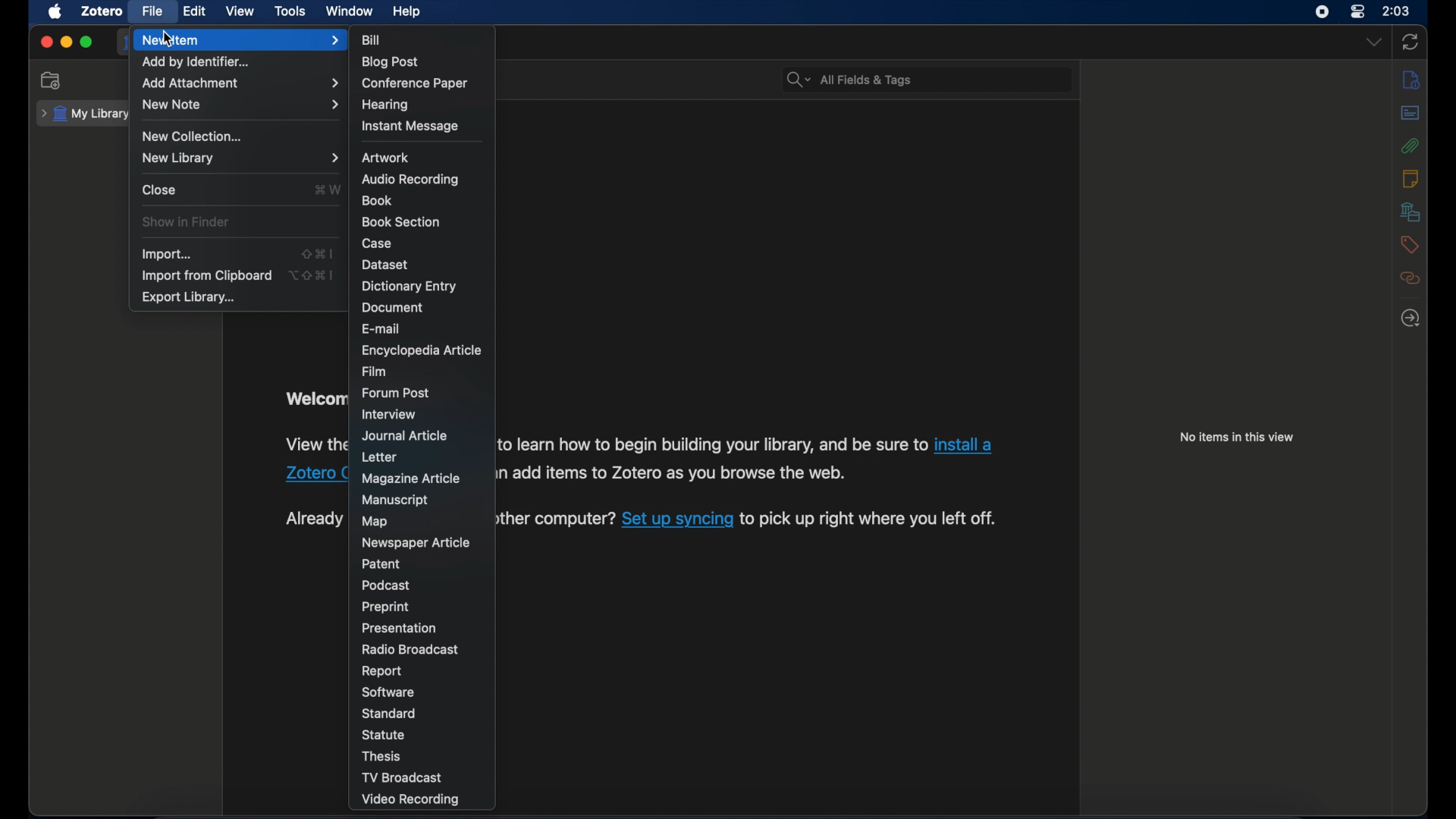 The image size is (1456, 819). I want to click on text, so click(672, 472).